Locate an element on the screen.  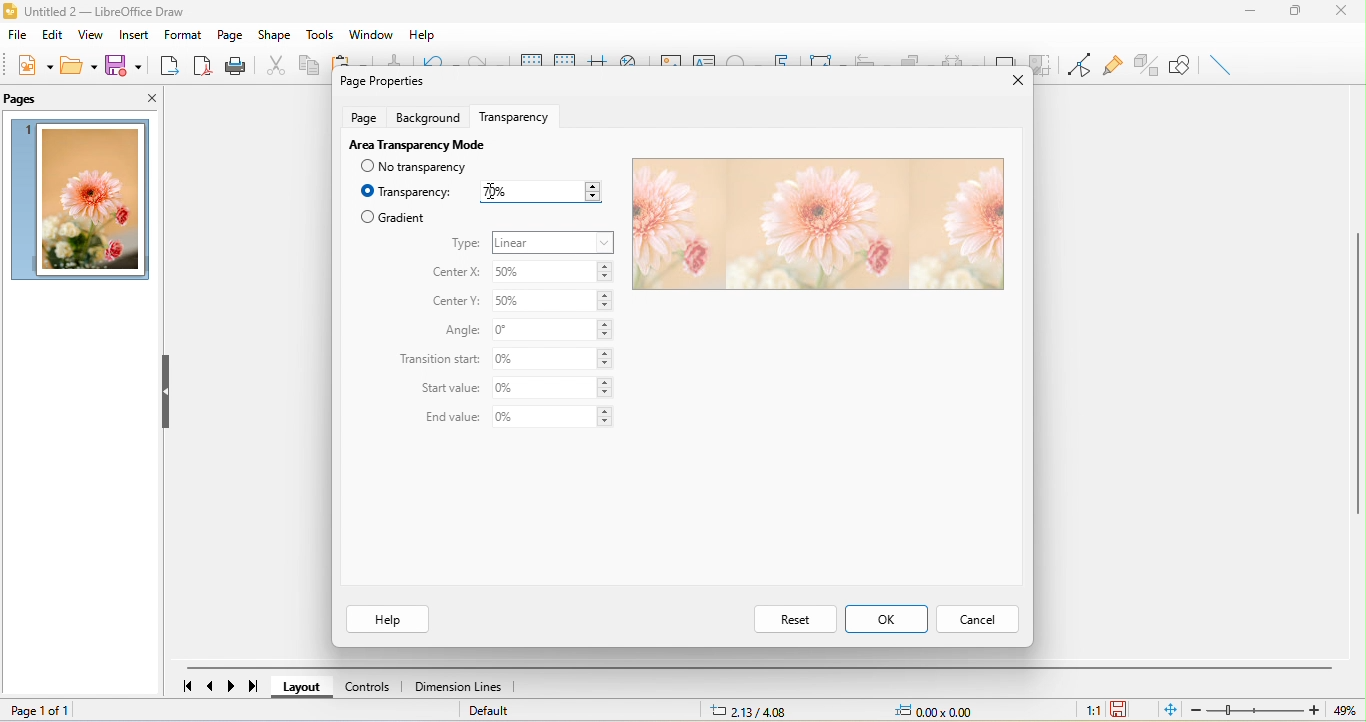
2.13/4.08 is located at coordinates (753, 711).